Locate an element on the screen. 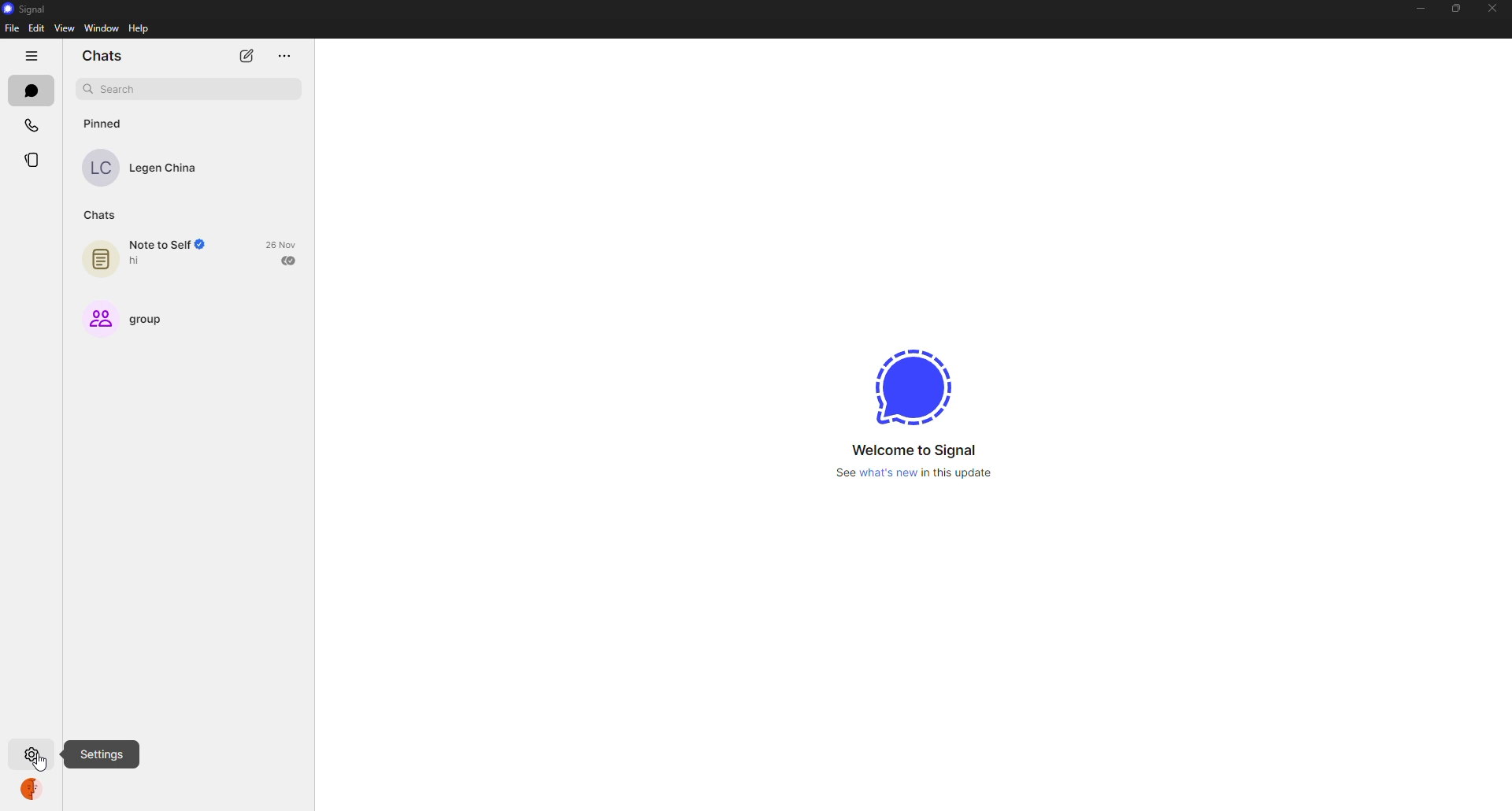  search is located at coordinates (185, 88).